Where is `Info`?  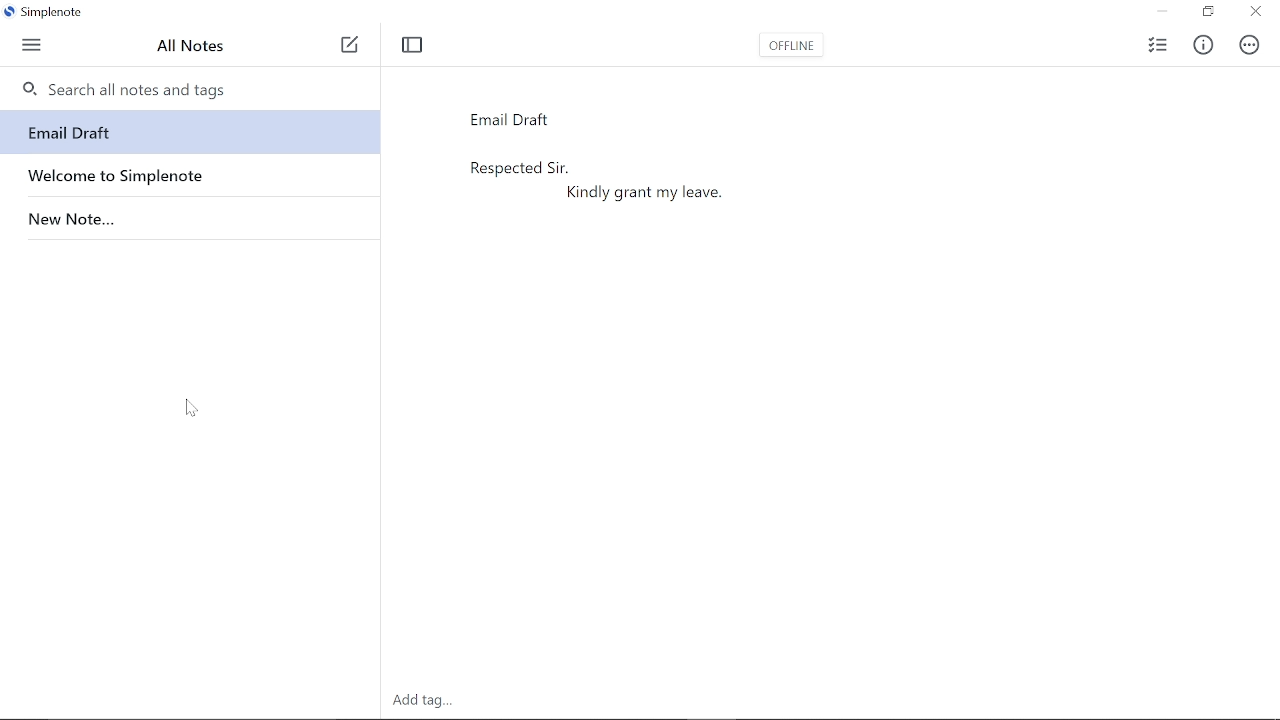 Info is located at coordinates (1202, 46).